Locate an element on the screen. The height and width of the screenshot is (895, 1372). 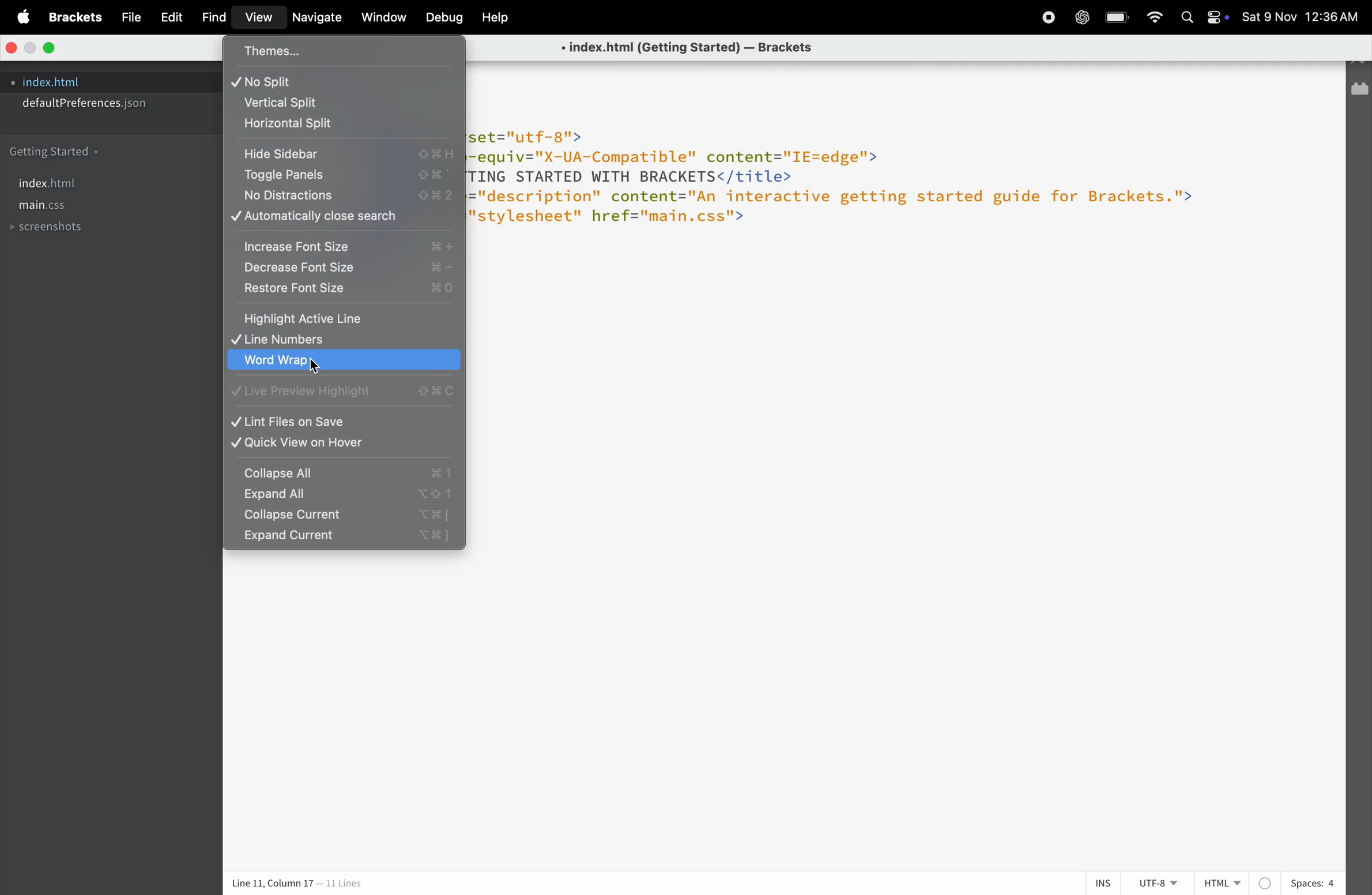
record is located at coordinates (1041, 19).